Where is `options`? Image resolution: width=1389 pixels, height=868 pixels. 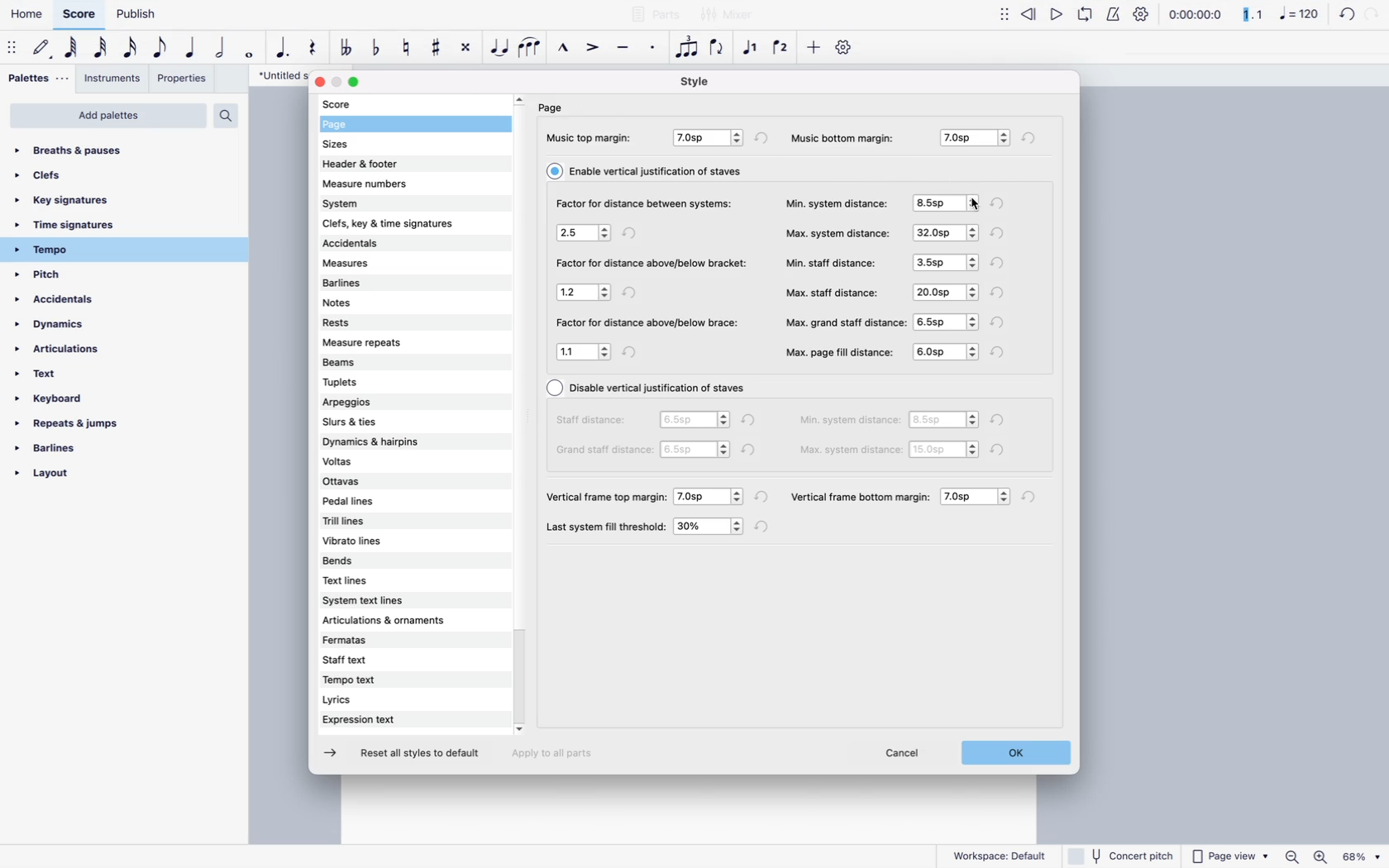 options is located at coordinates (710, 527).